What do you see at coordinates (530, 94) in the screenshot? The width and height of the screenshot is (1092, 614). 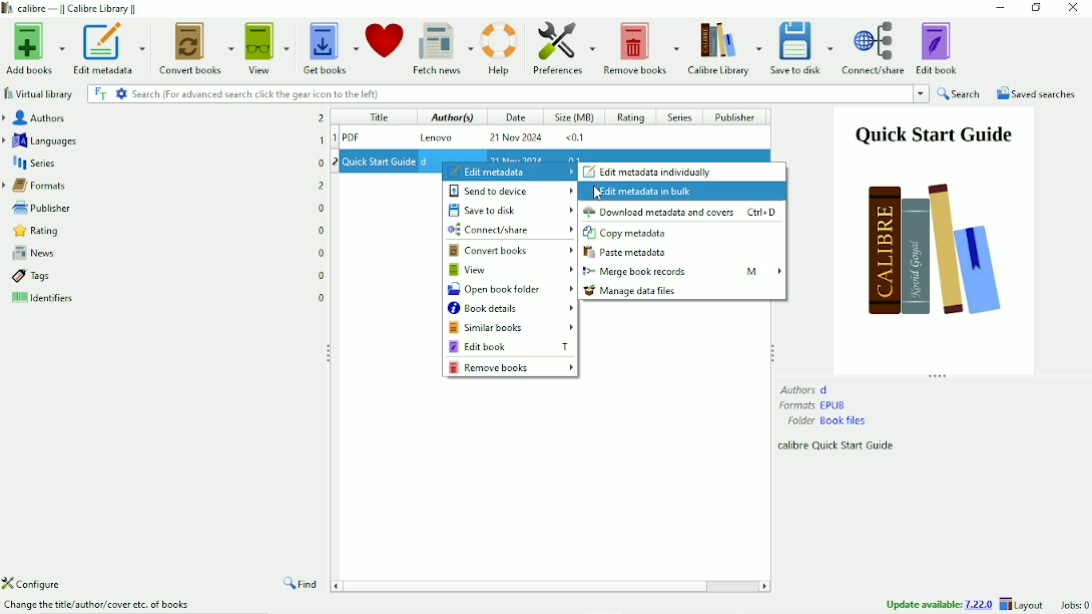 I see `Search` at bounding box center [530, 94].